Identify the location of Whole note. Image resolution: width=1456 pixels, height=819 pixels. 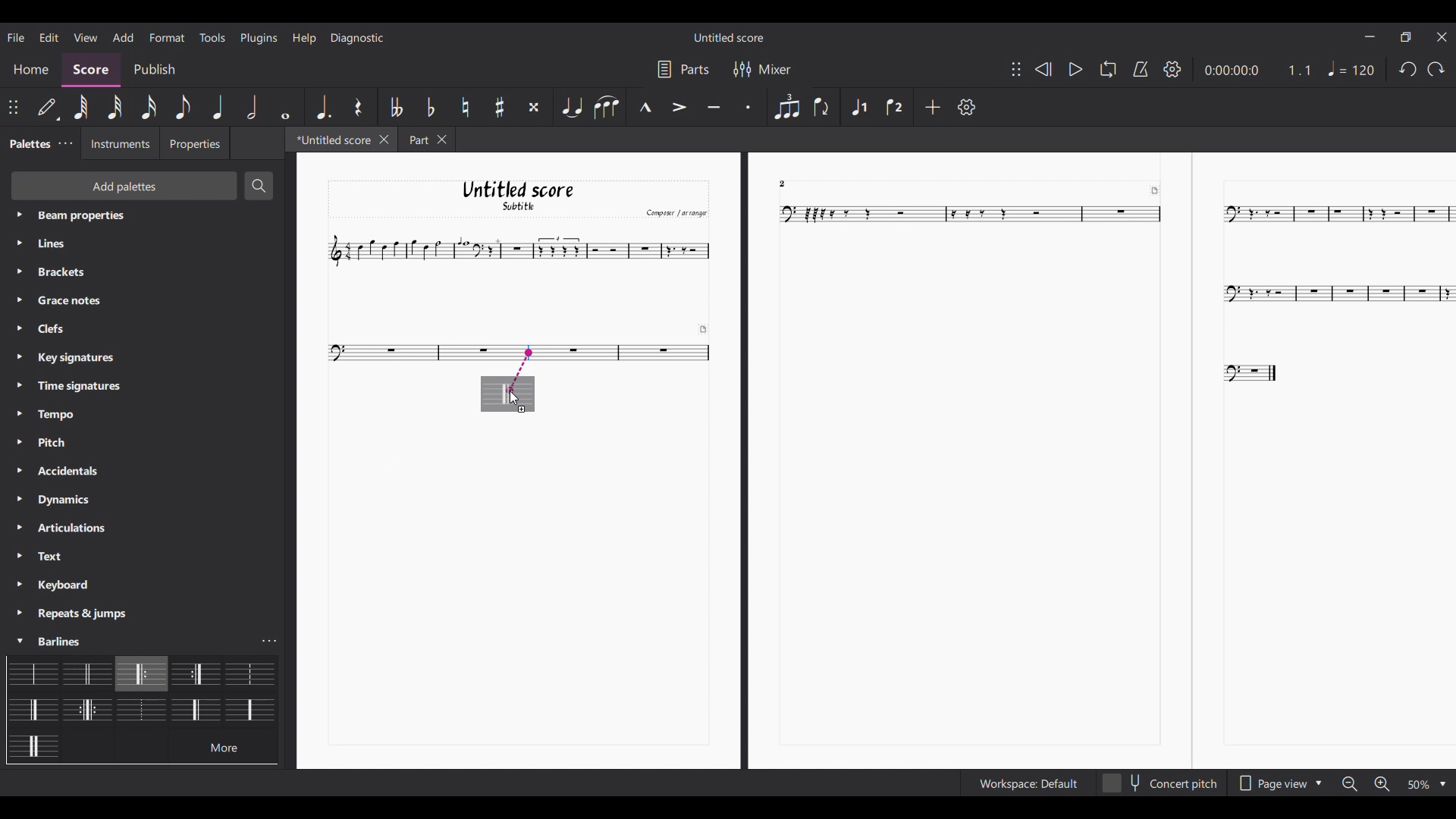
(285, 107).